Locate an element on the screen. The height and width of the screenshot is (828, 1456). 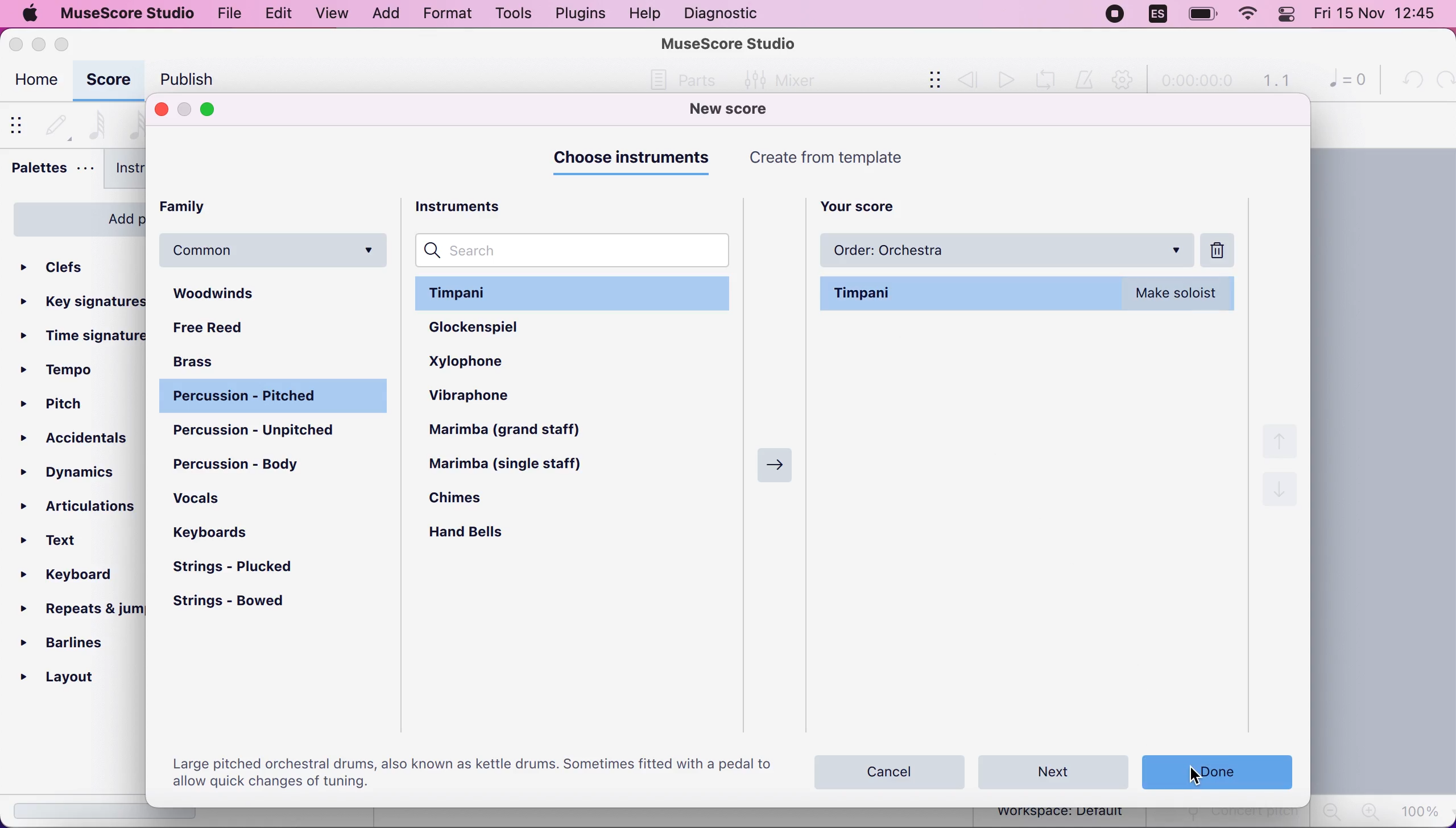
 is located at coordinates (689, 80).